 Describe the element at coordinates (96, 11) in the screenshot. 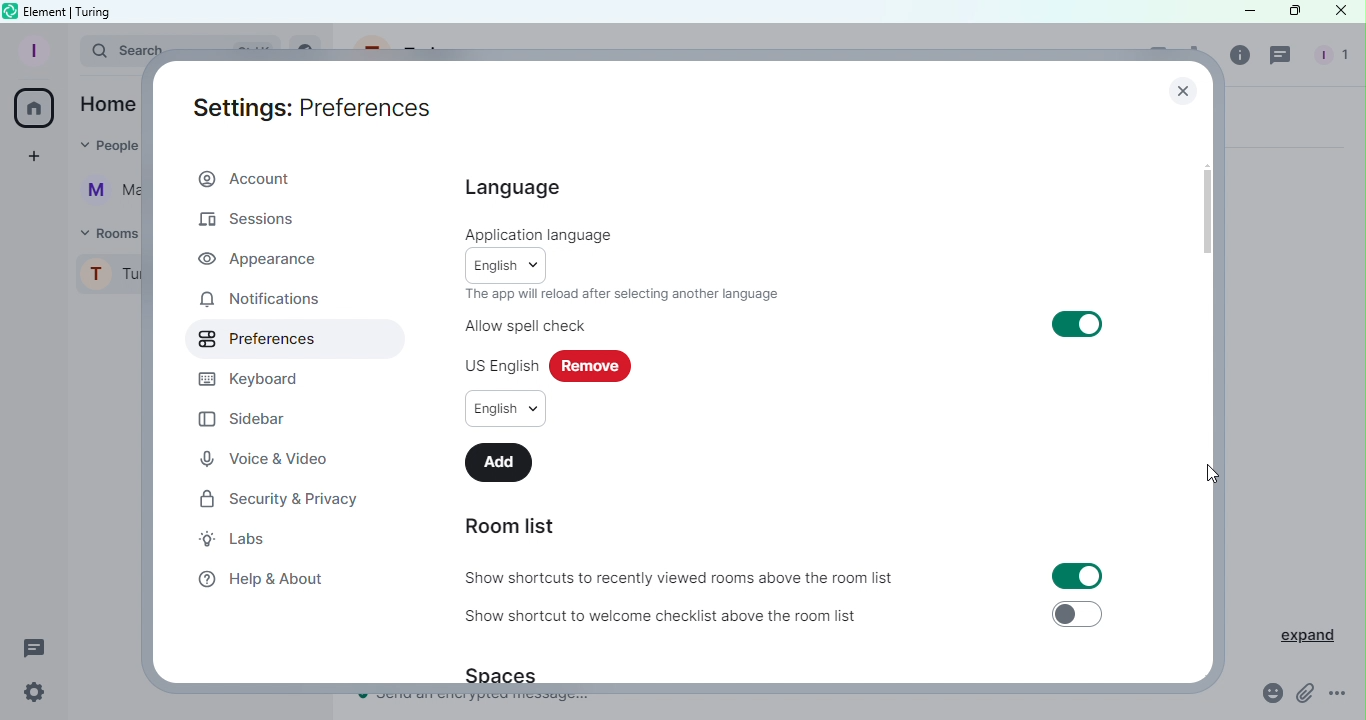

I see `turing` at that location.